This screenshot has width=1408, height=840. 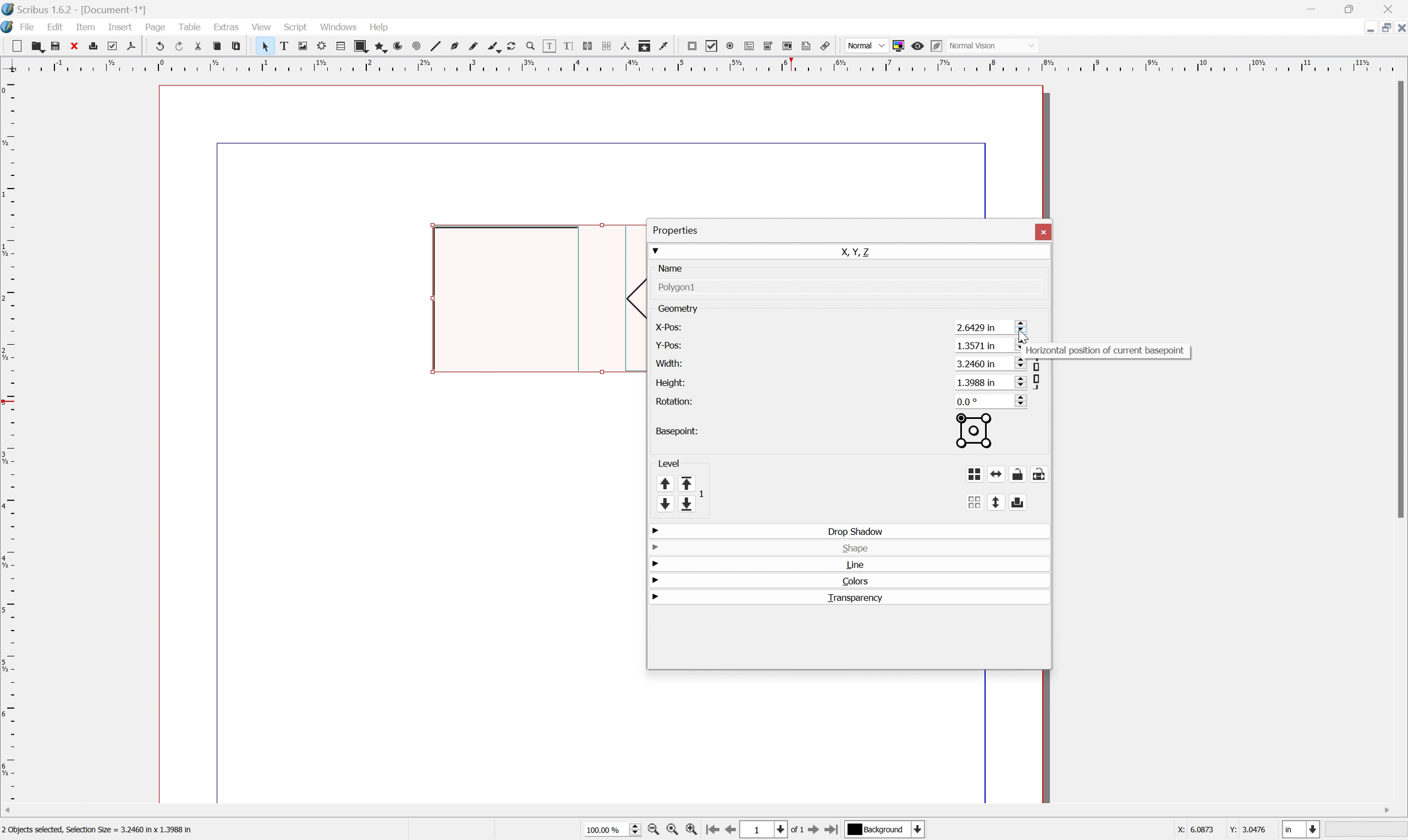 I want to click on properties, so click(x=675, y=229).